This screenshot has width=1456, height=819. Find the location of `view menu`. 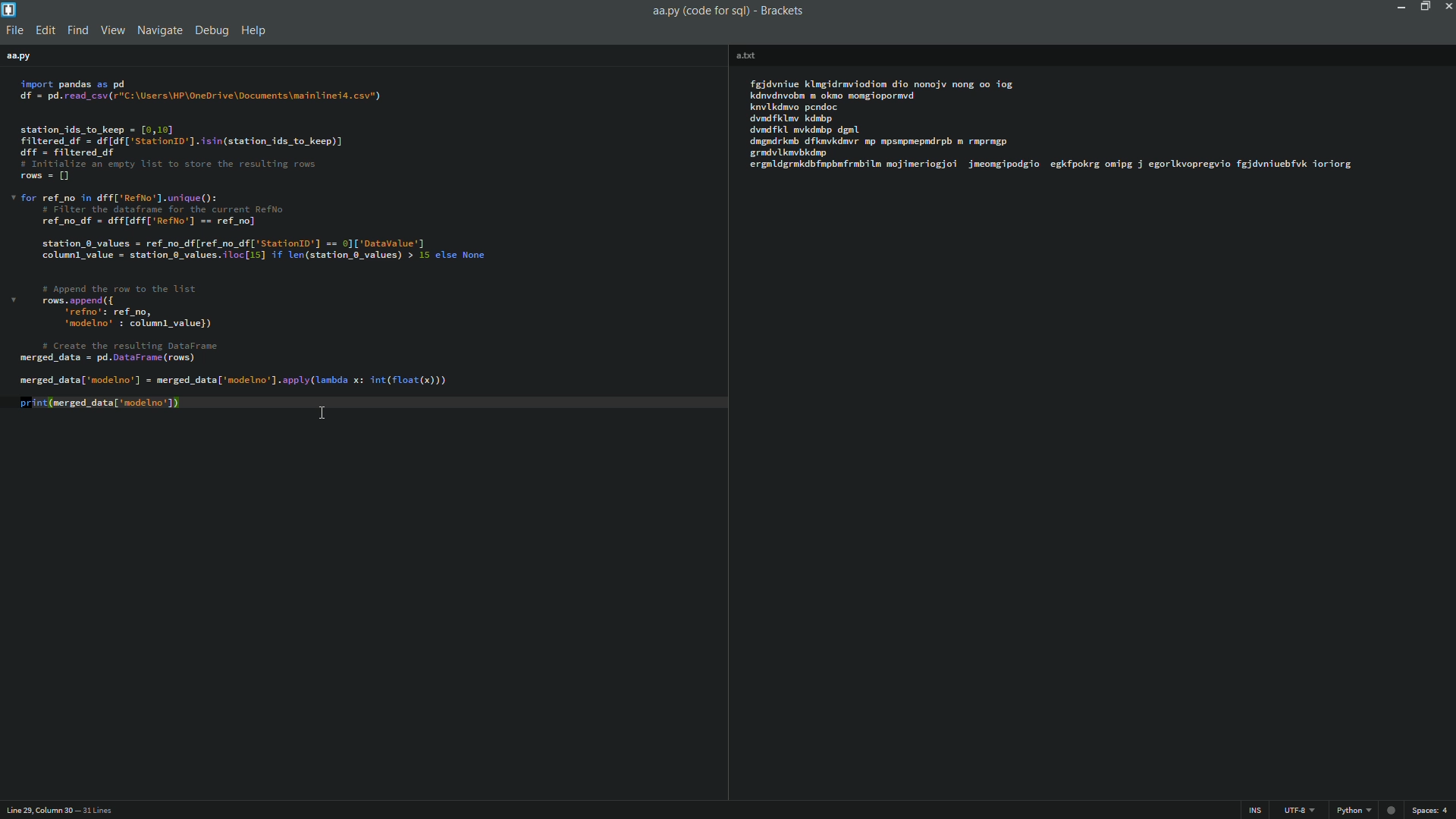

view menu is located at coordinates (116, 31).